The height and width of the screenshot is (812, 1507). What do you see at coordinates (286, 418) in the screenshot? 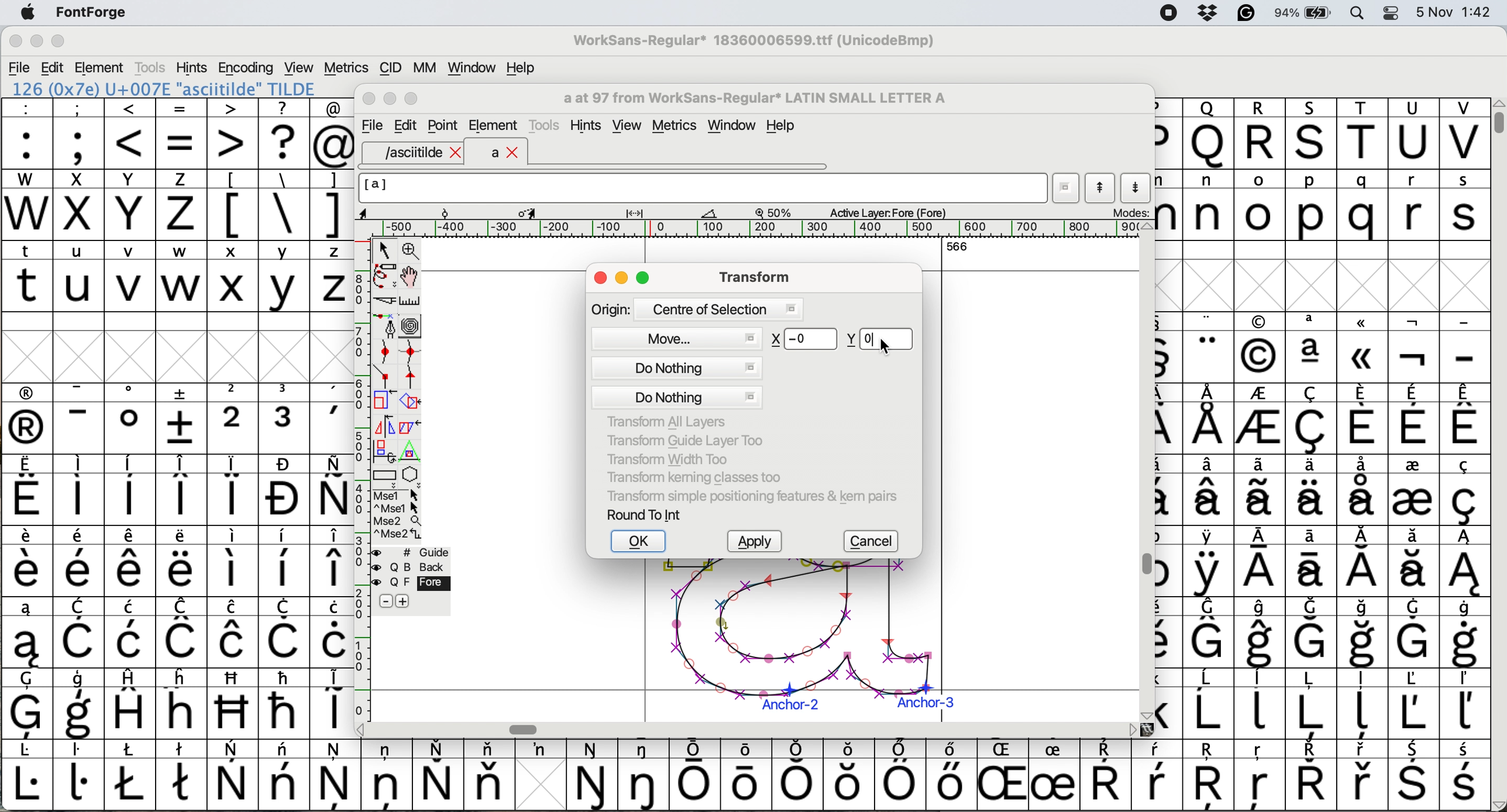
I see `symbol` at bounding box center [286, 418].